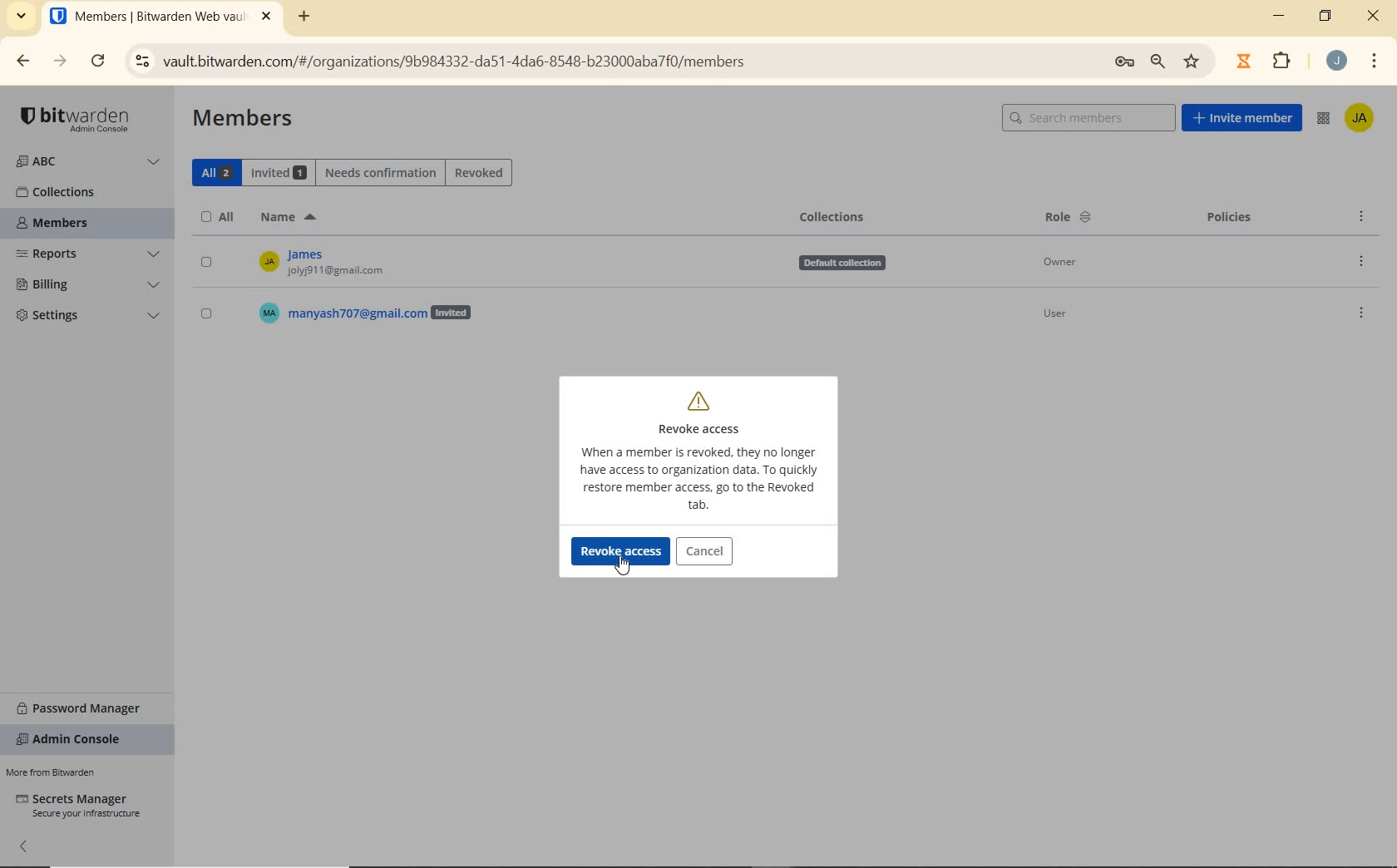 The width and height of the screenshot is (1397, 868). Describe the element at coordinates (619, 550) in the screenshot. I see `REVOKE ACCESS` at that location.